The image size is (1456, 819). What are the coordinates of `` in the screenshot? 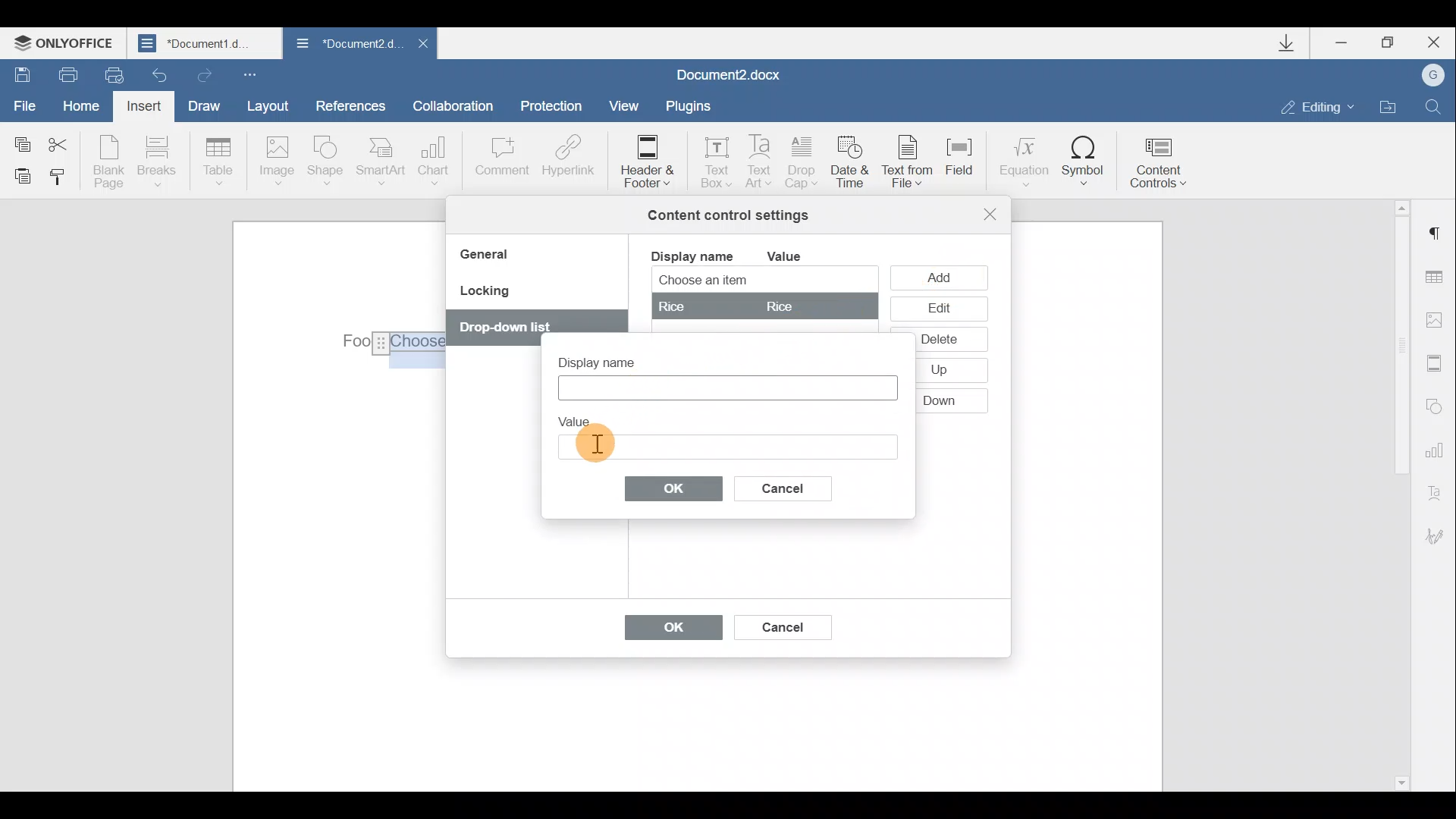 It's located at (938, 339).